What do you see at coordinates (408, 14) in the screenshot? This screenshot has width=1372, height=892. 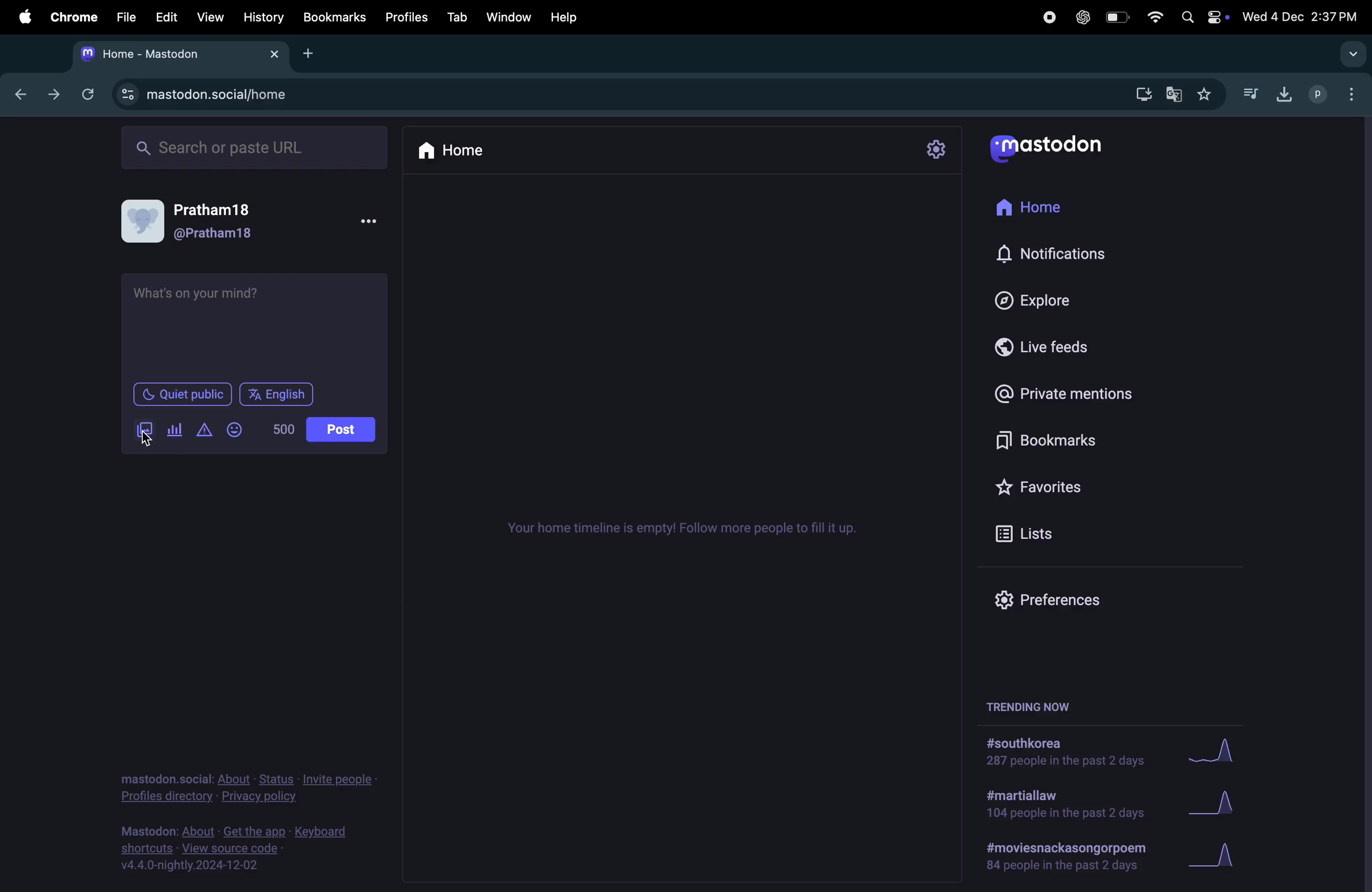 I see `Profiles` at bounding box center [408, 14].